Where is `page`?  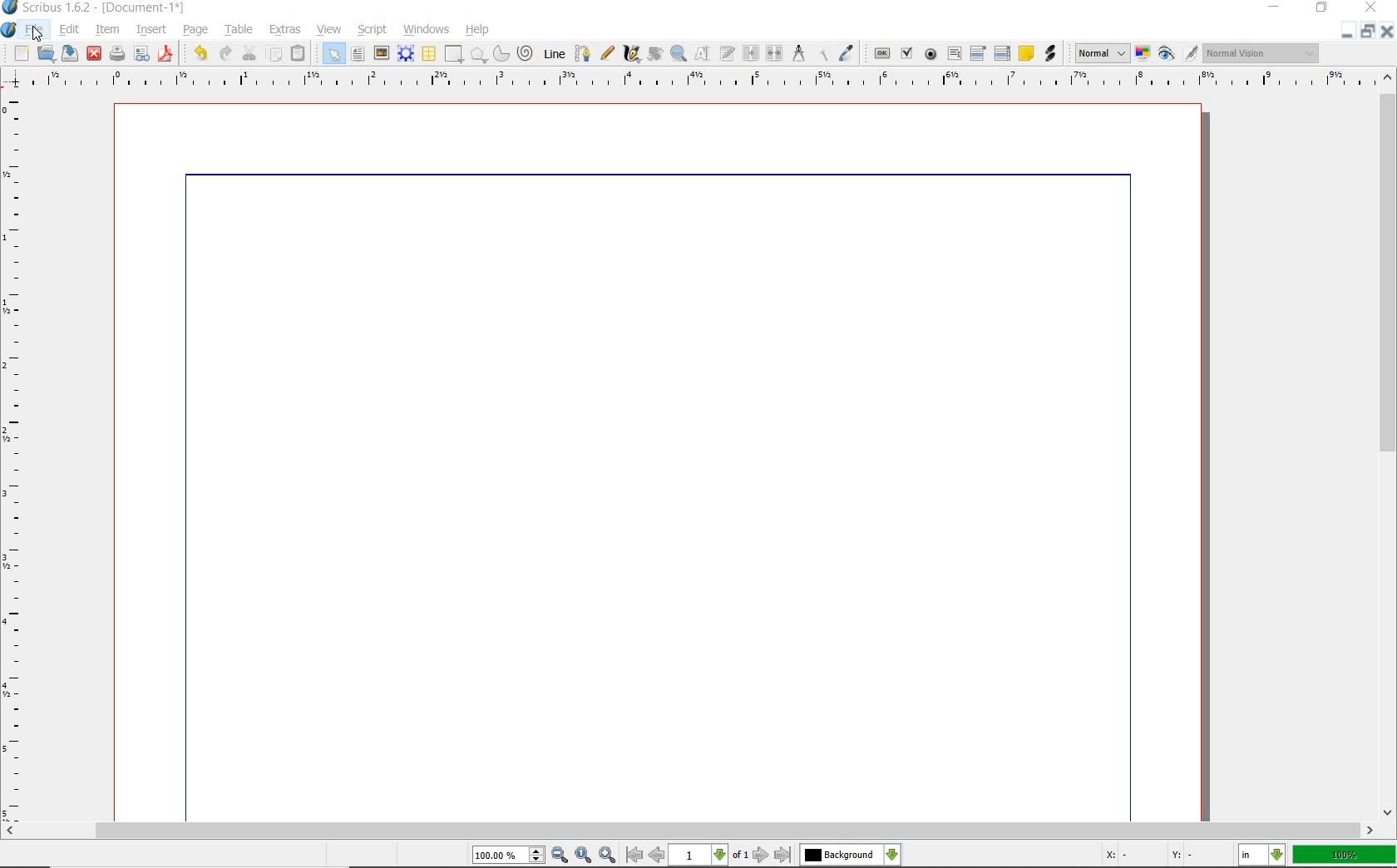 page is located at coordinates (199, 30).